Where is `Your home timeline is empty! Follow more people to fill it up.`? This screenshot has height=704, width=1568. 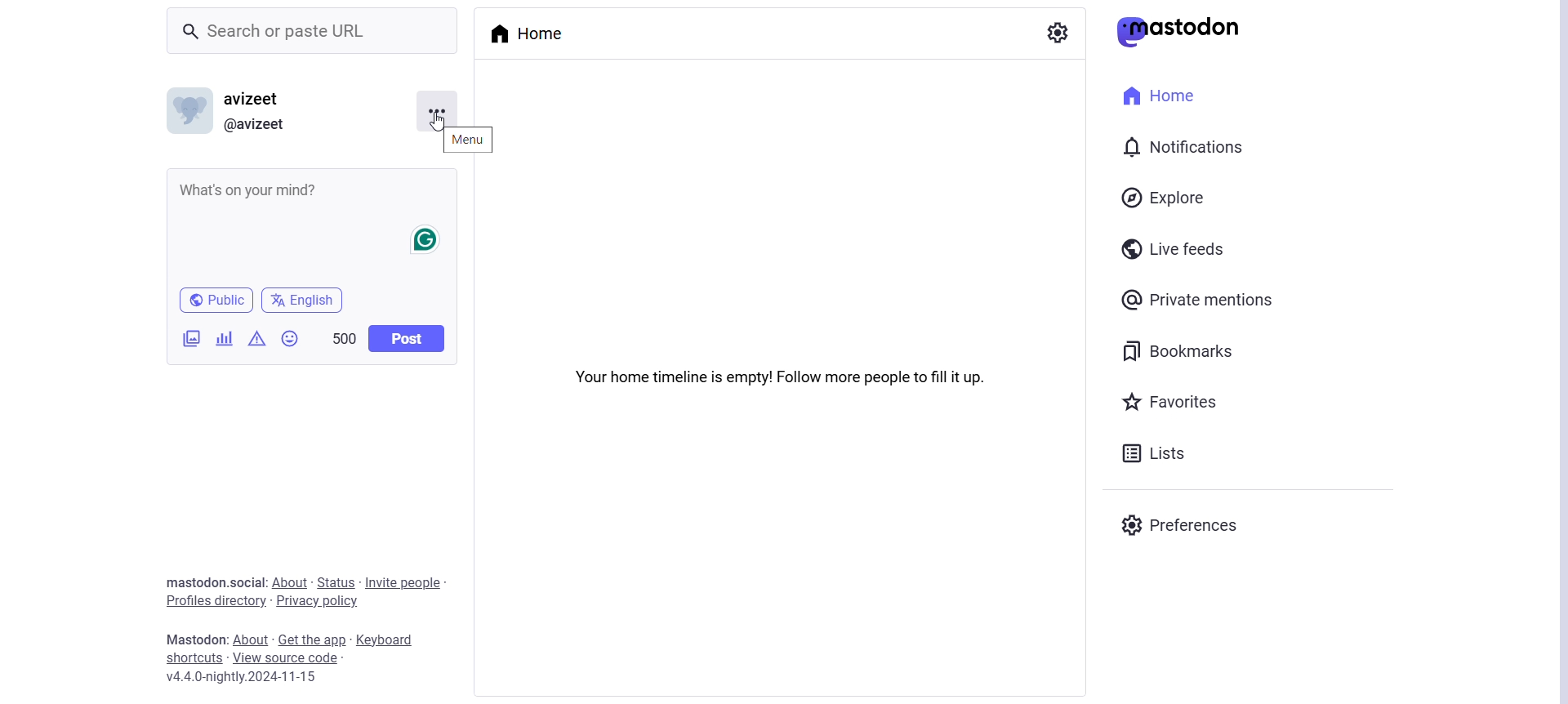
Your home timeline is empty! Follow more people to fill it up. is located at coordinates (780, 379).